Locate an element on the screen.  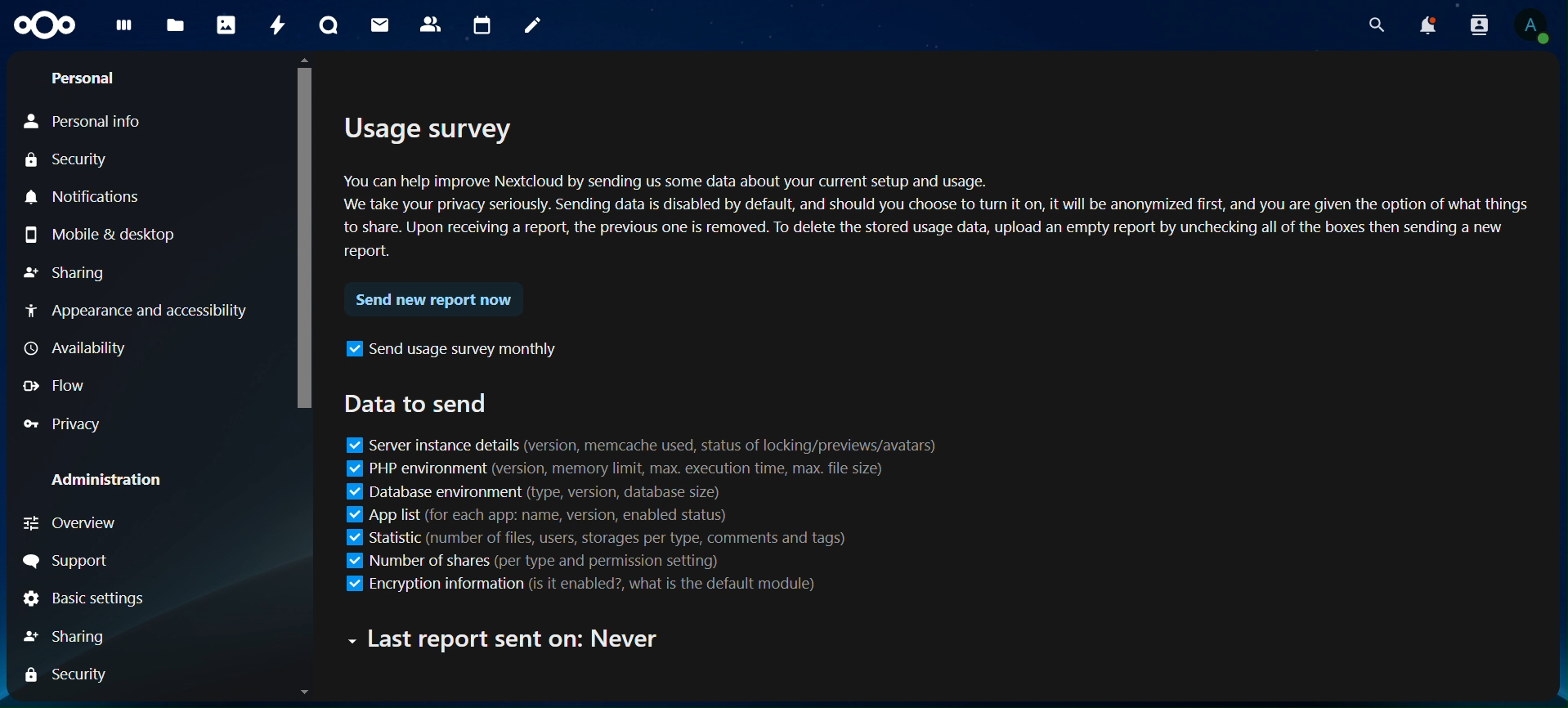
talk is located at coordinates (329, 25).